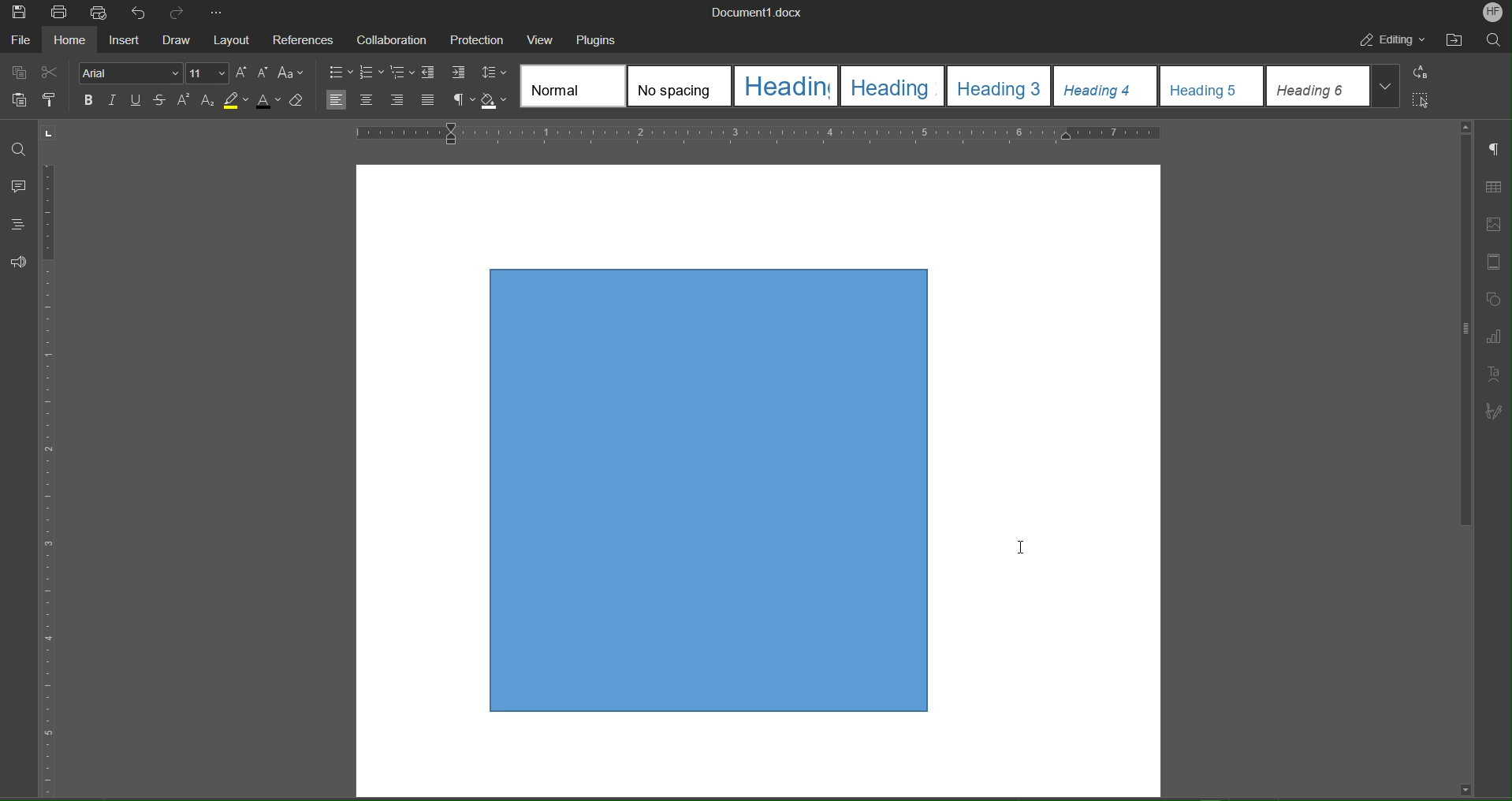 The width and height of the screenshot is (1512, 801). I want to click on Line spacing, so click(496, 72).